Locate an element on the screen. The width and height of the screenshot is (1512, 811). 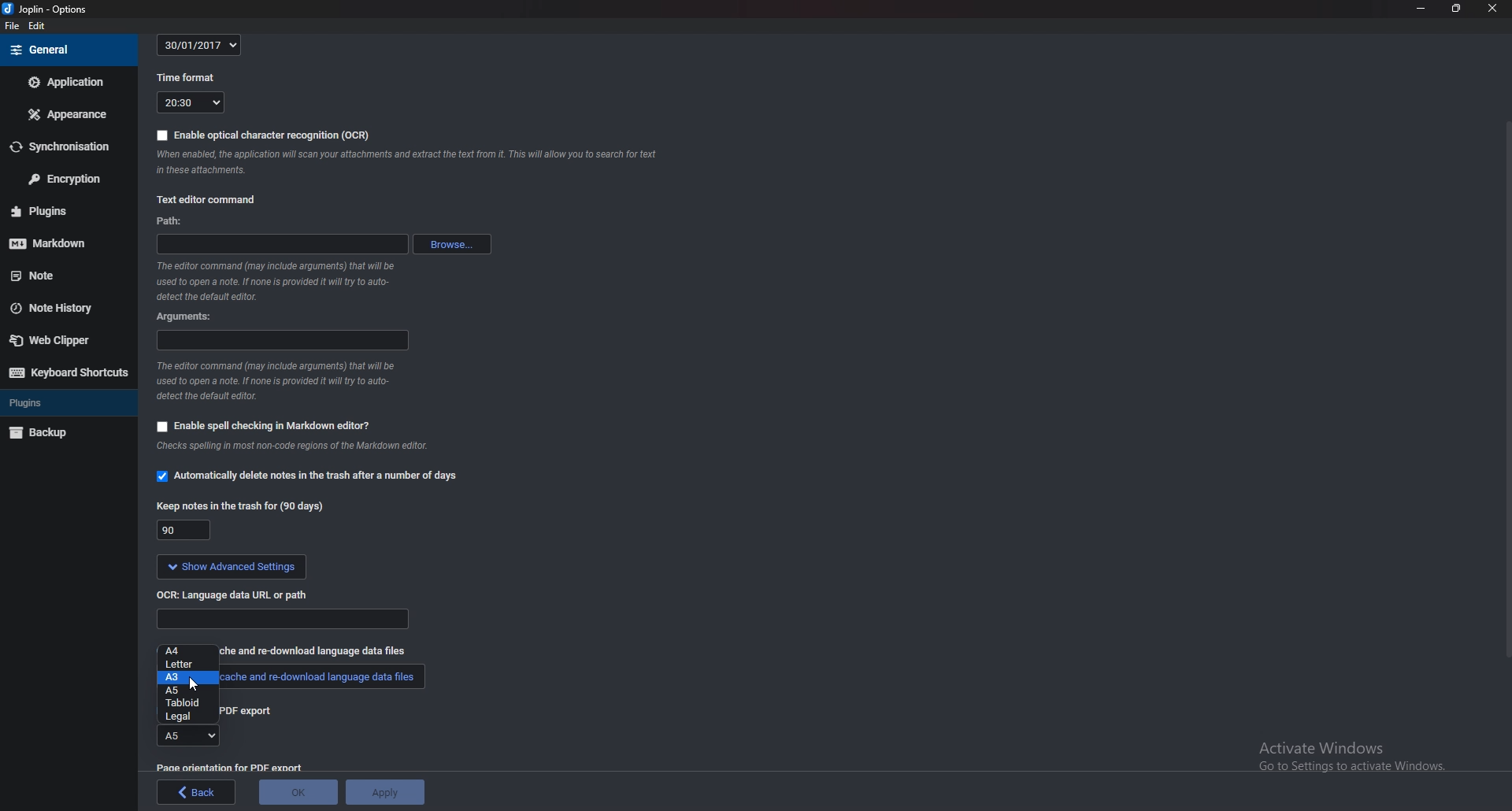
cache and re-download language data files is located at coordinates (329, 681).